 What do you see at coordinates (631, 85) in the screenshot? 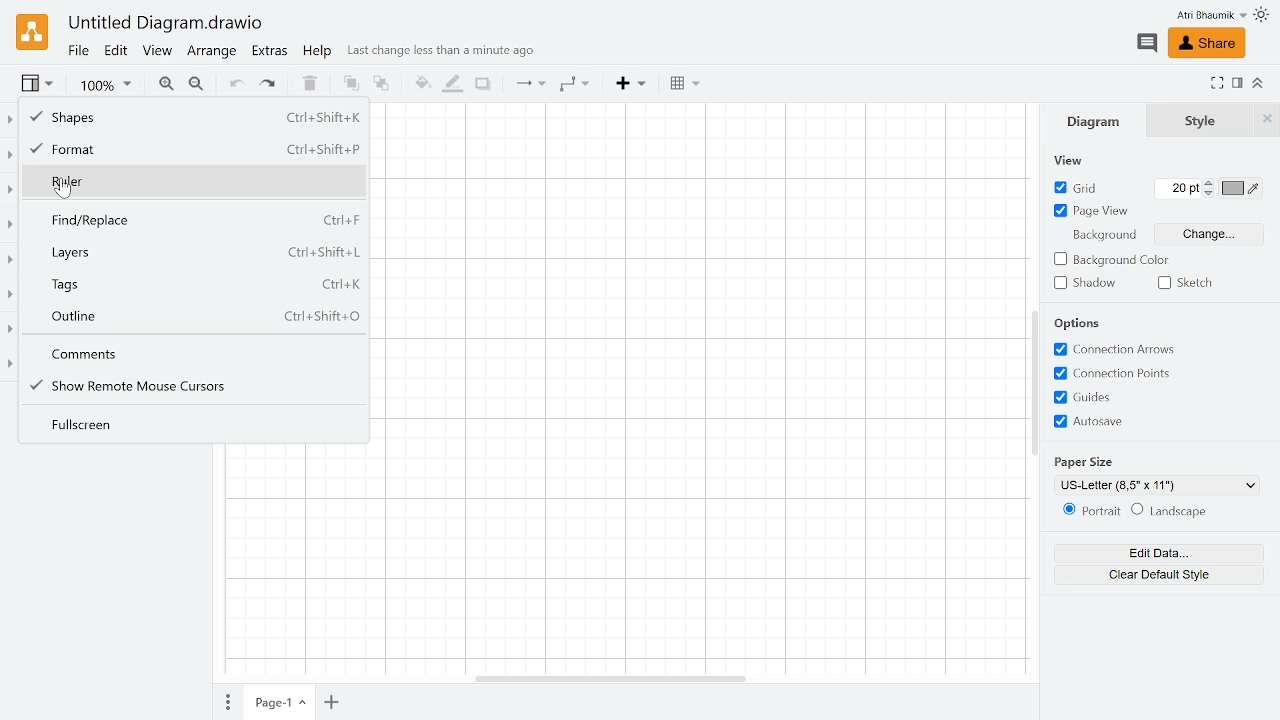
I see `Insert` at bounding box center [631, 85].